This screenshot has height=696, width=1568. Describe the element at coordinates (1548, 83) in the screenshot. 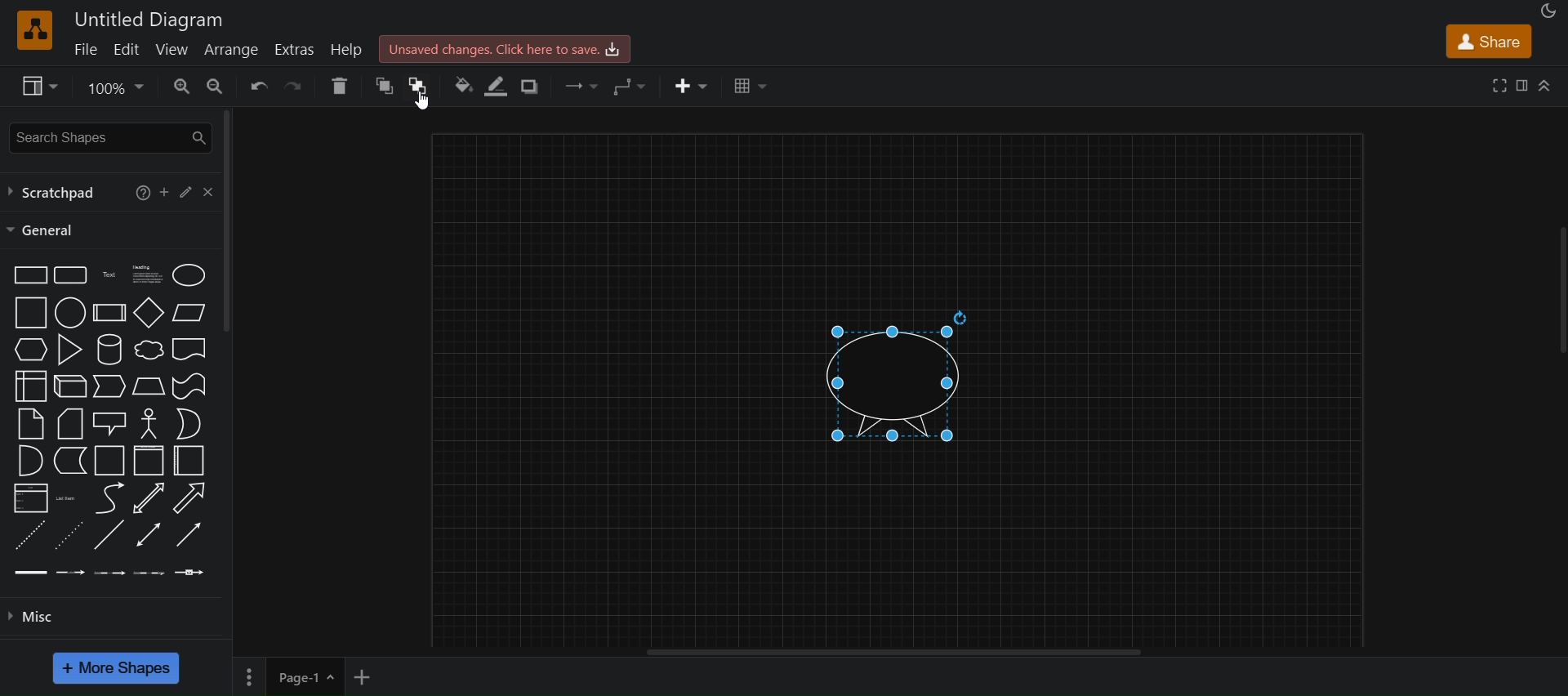

I see `collapse/expand` at that location.